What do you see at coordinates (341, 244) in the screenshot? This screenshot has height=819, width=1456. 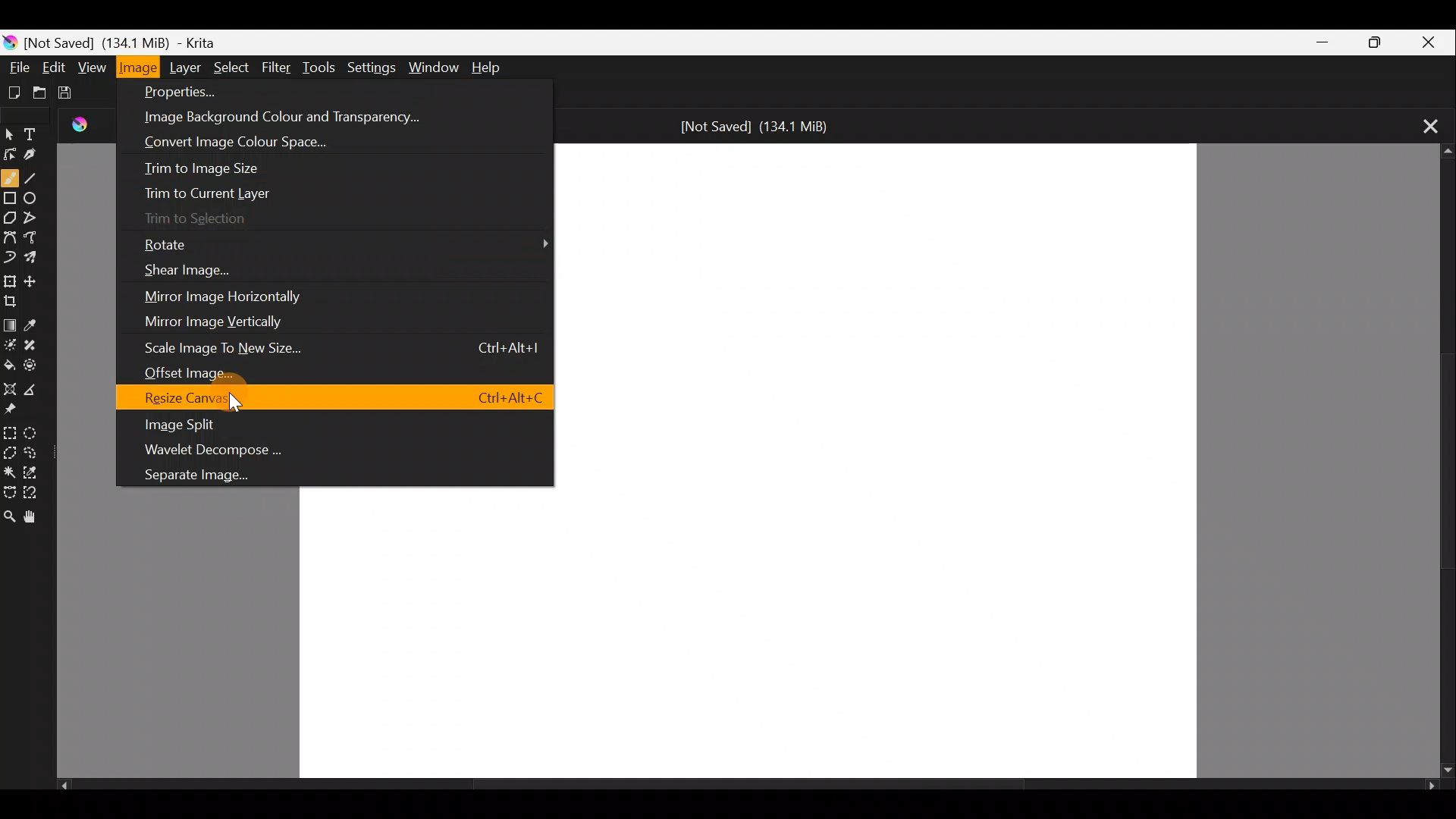 I see `Rotate` at bounding box center [341, 244].